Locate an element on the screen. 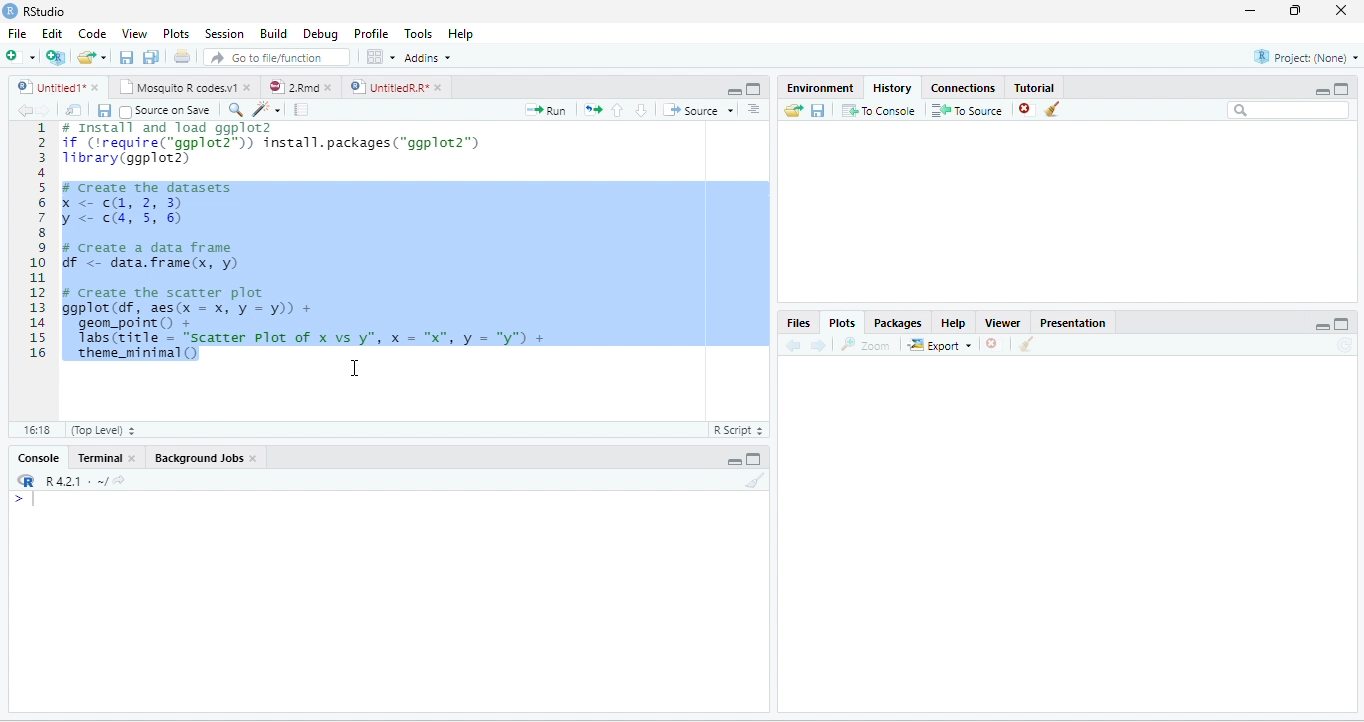 The width and height of the screenshot is (1364, 722). Minimize is located at coordinates (733, 461).